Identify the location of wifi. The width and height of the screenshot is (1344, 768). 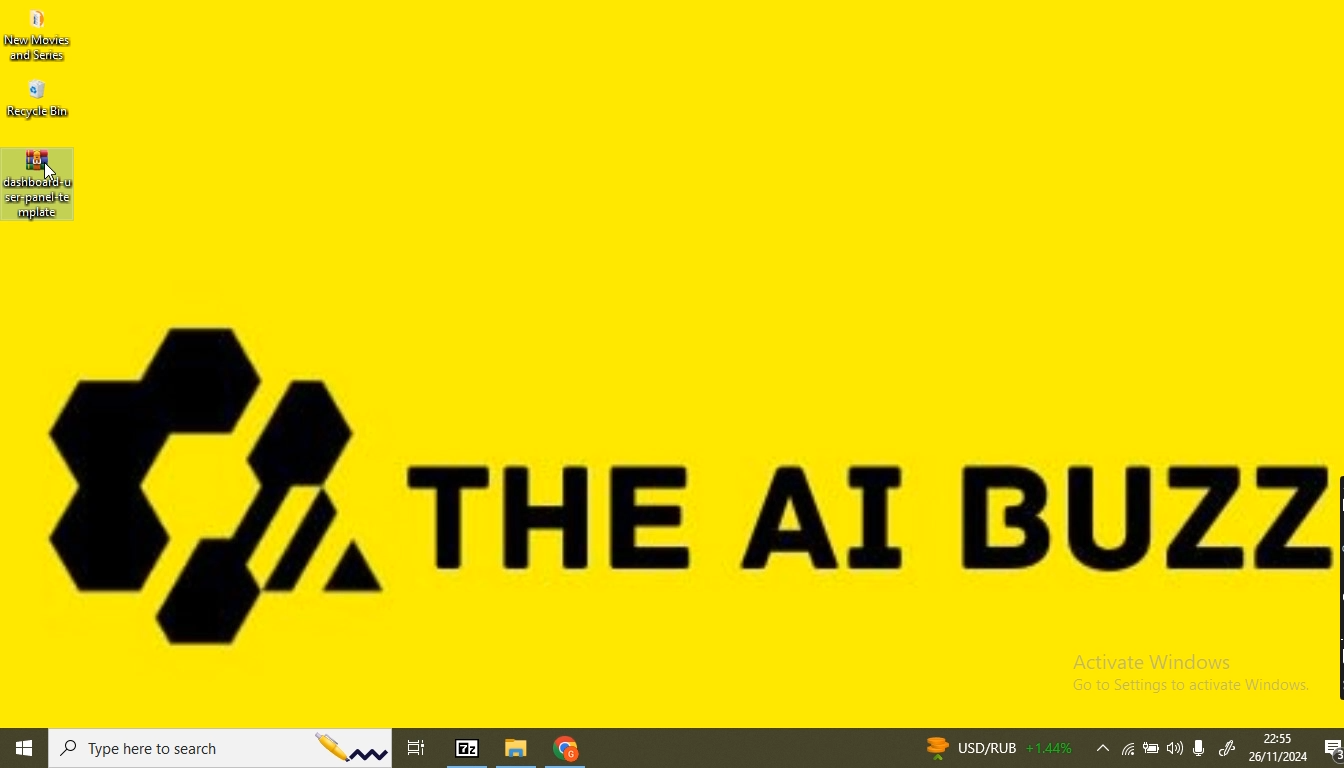
(1129, 751).